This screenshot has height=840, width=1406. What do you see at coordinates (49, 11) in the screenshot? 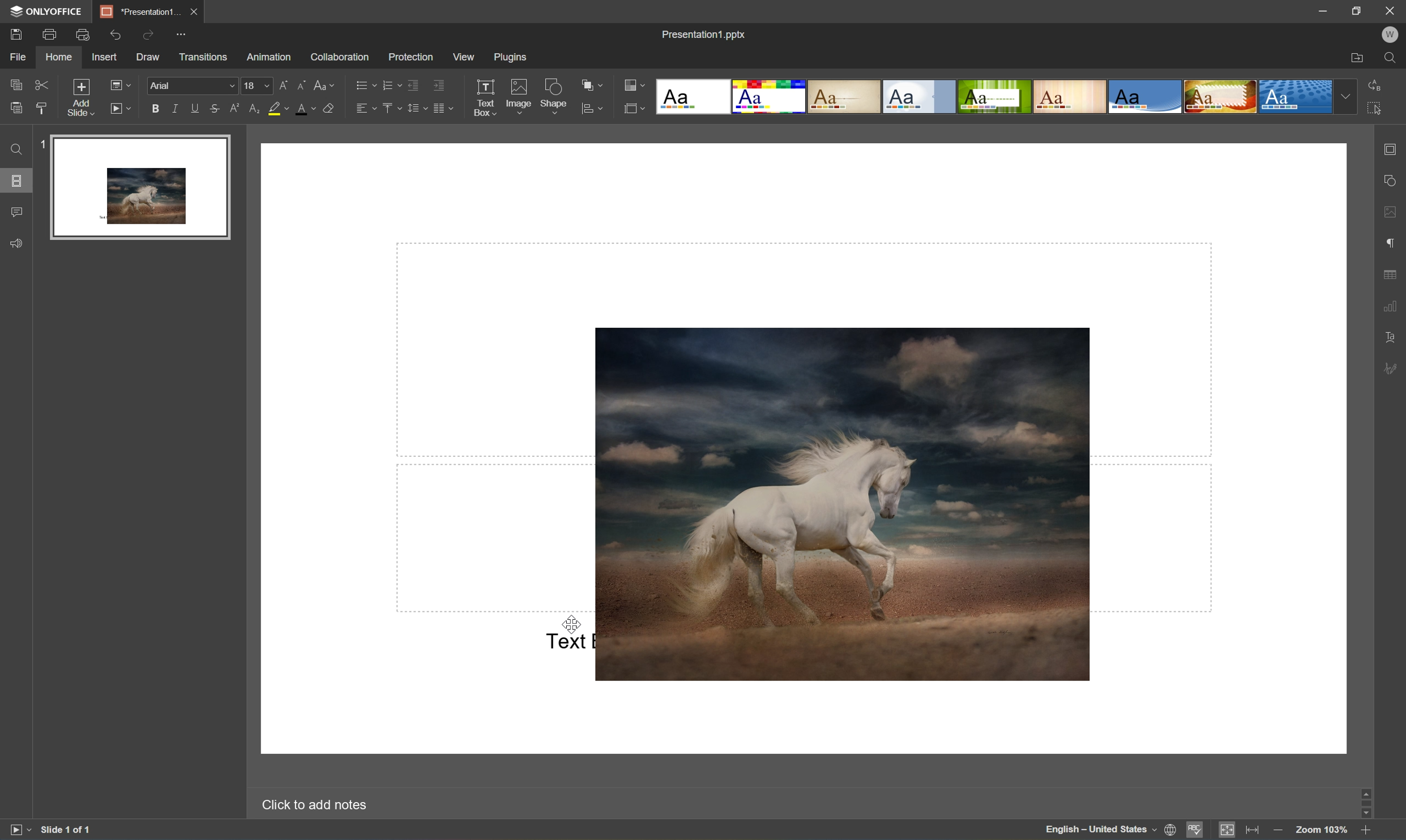
I see `ONLYOFFICE` at bounding box center [49, 11].